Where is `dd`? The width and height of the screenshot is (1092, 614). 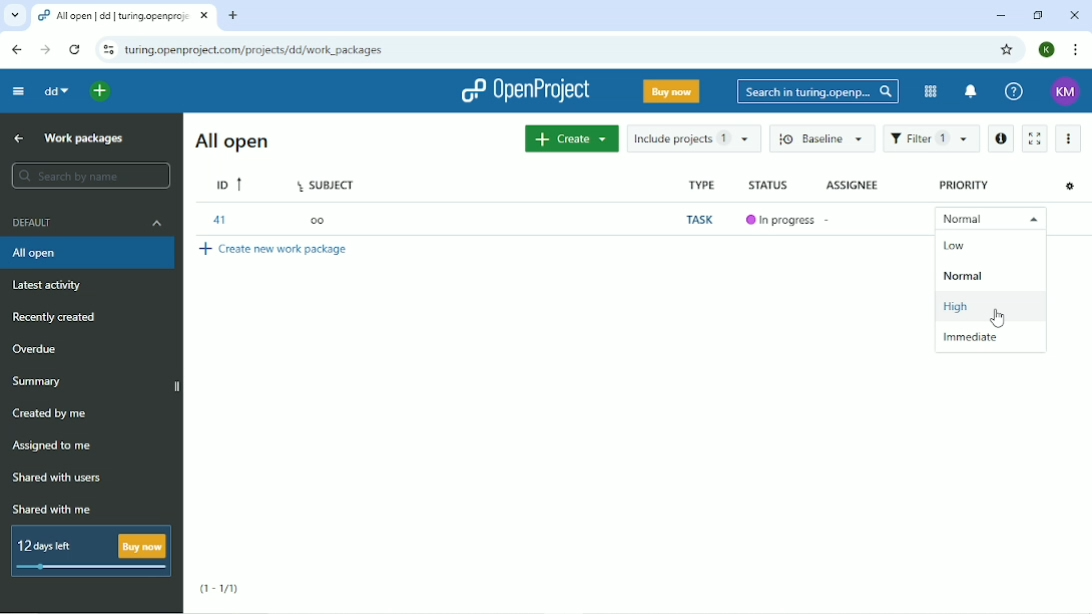
dd is located at coordinates (56, 91).